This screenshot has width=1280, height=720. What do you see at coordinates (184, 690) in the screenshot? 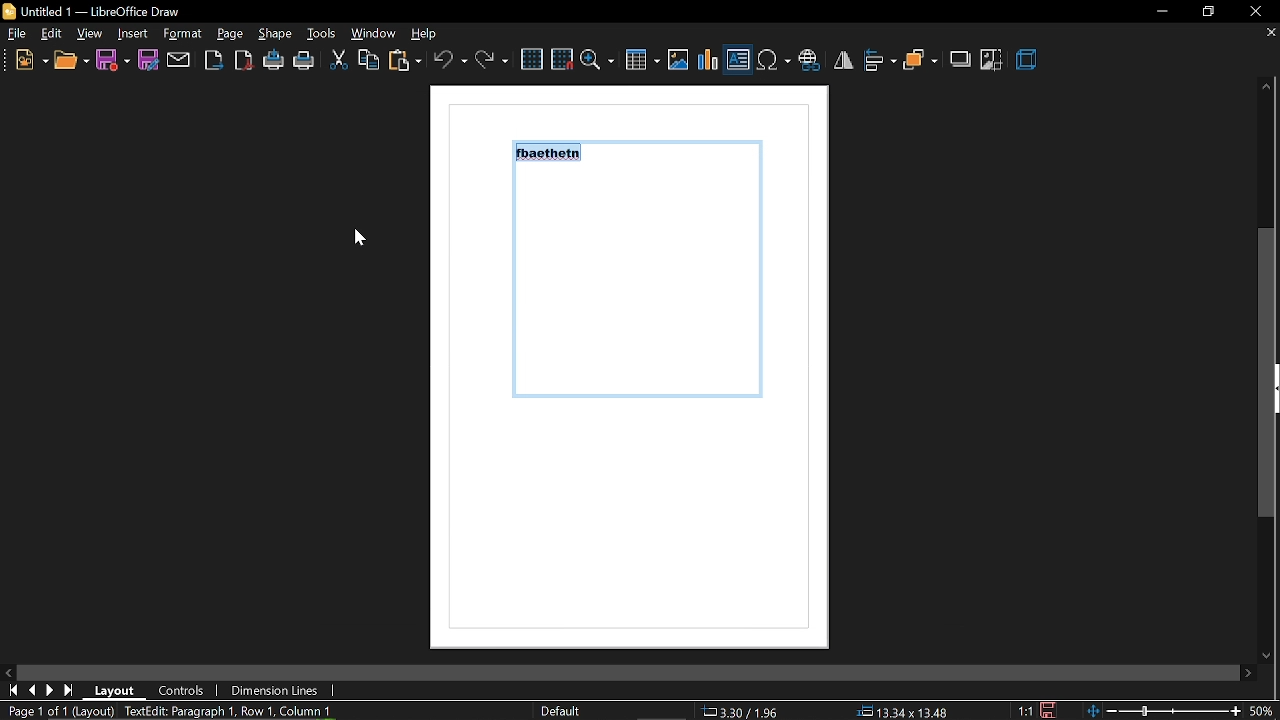
I see `controls` at bounding box center [184, 690].